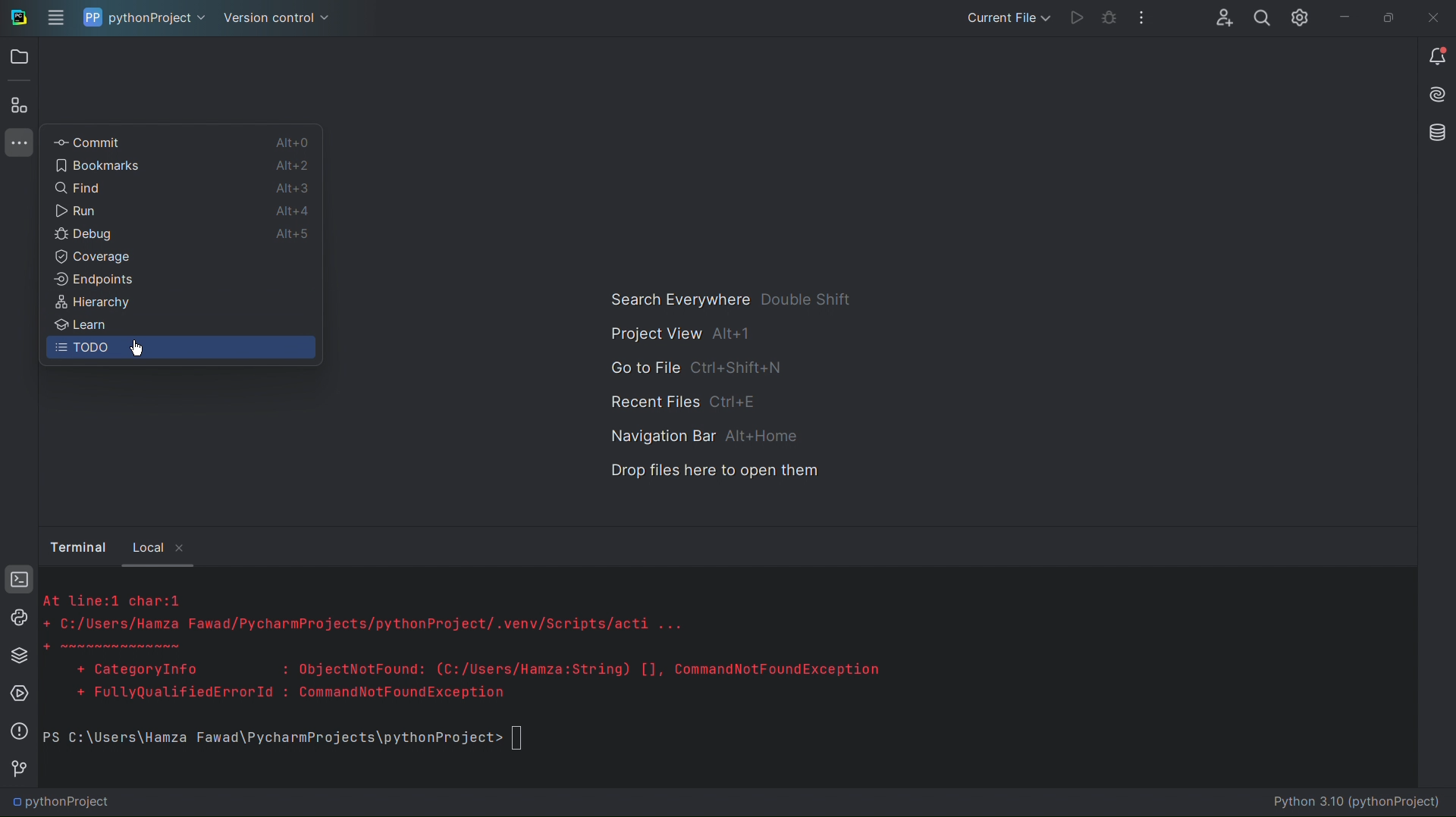 The image size is (1456, 817). What do you see at coordinates (1263, 16) in the screenshot?
I see `Search` at bounding box center [1263, 16].